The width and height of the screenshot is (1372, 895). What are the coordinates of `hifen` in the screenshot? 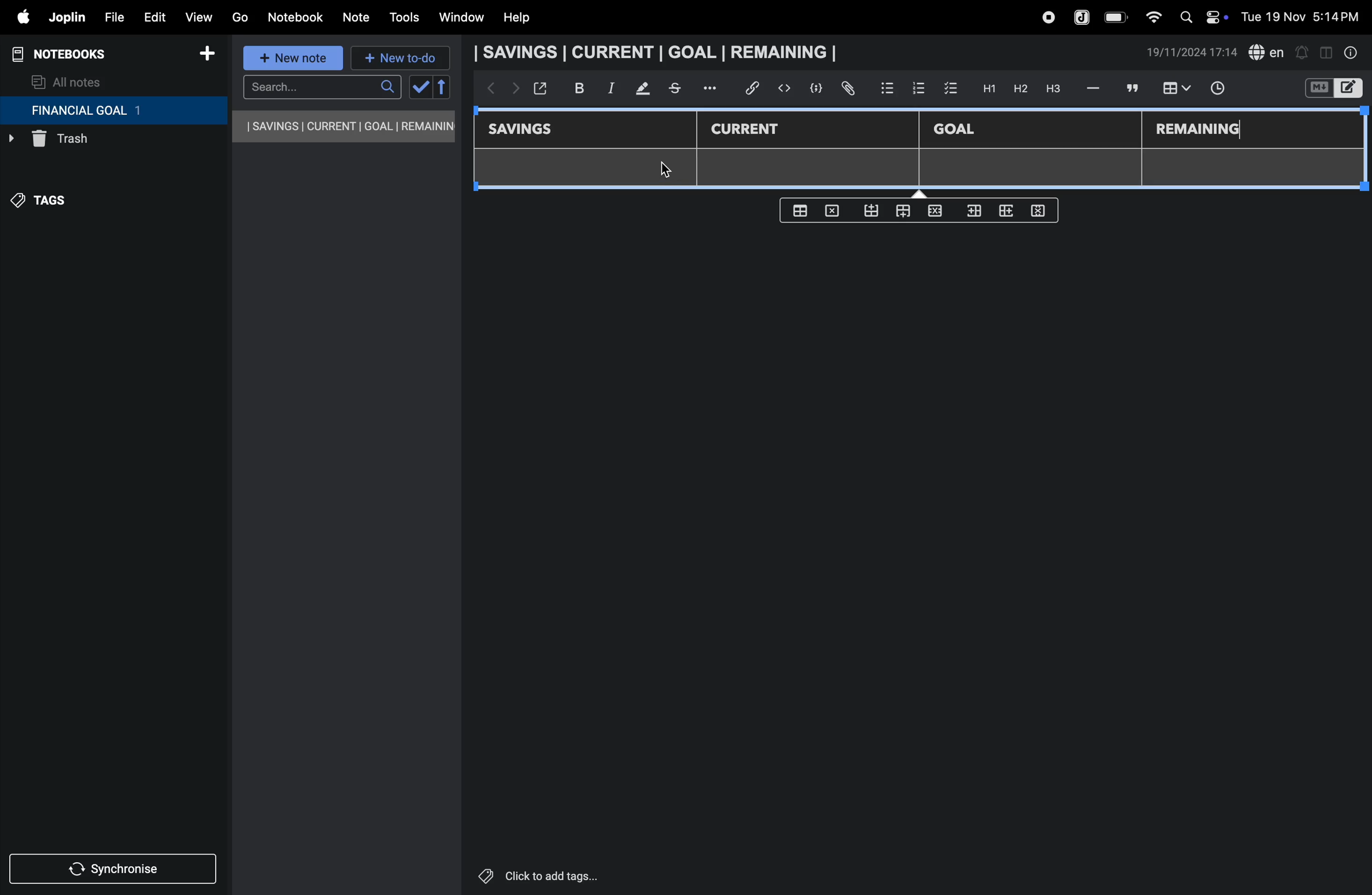 It's located at (1095, 88).